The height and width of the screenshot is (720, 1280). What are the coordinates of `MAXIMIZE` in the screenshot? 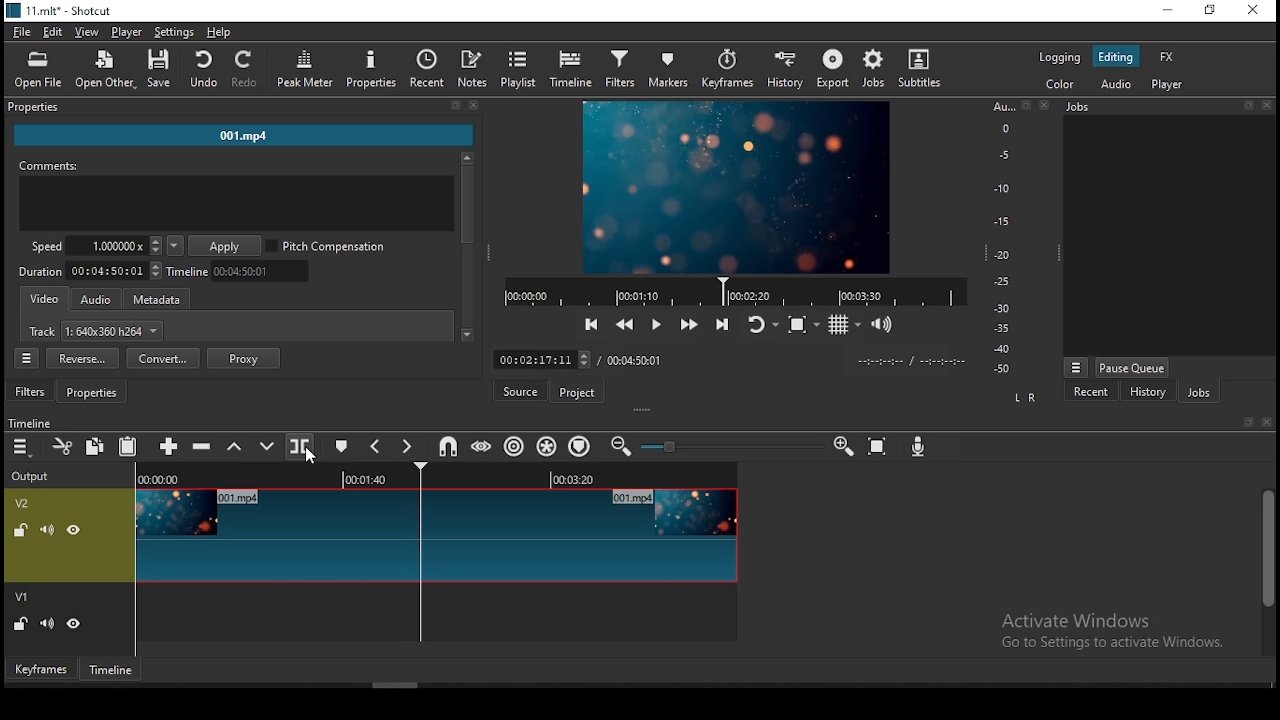 It's located at (1245, 421).